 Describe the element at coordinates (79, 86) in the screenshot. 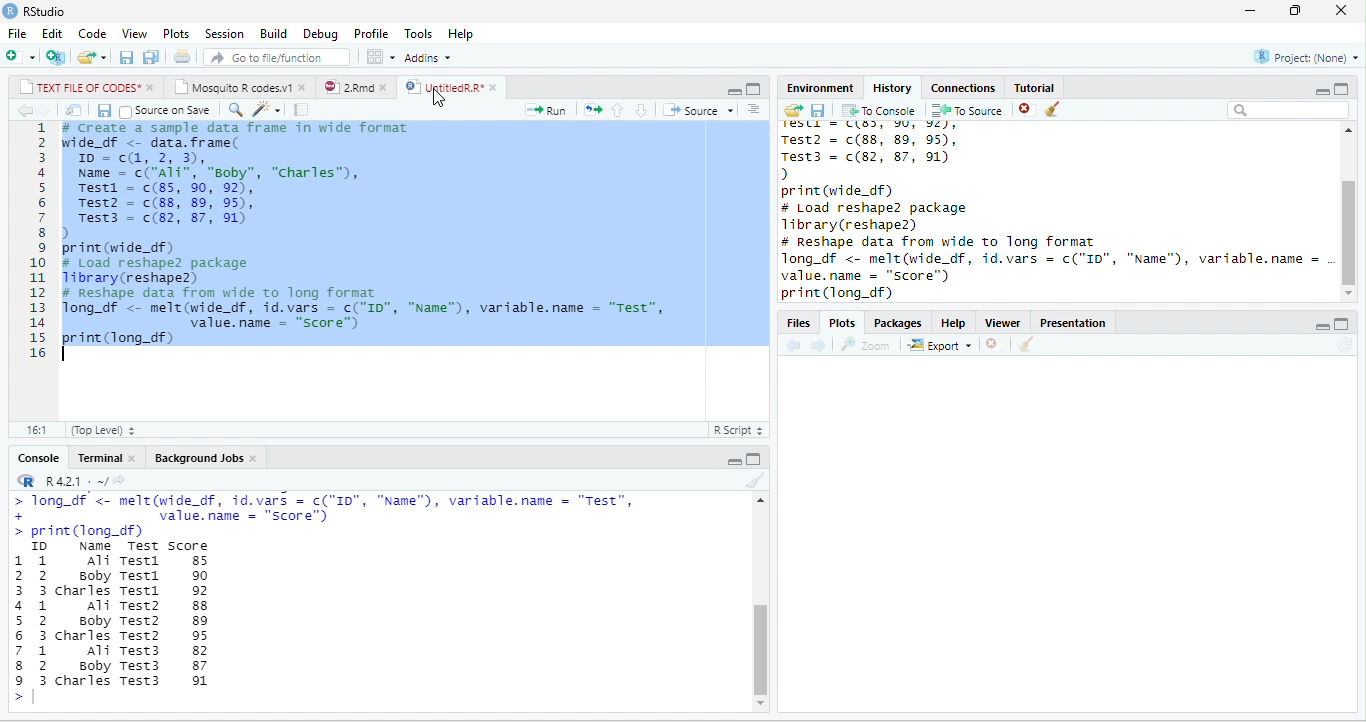

I see `TEXT FILE OF CODES` at that location.